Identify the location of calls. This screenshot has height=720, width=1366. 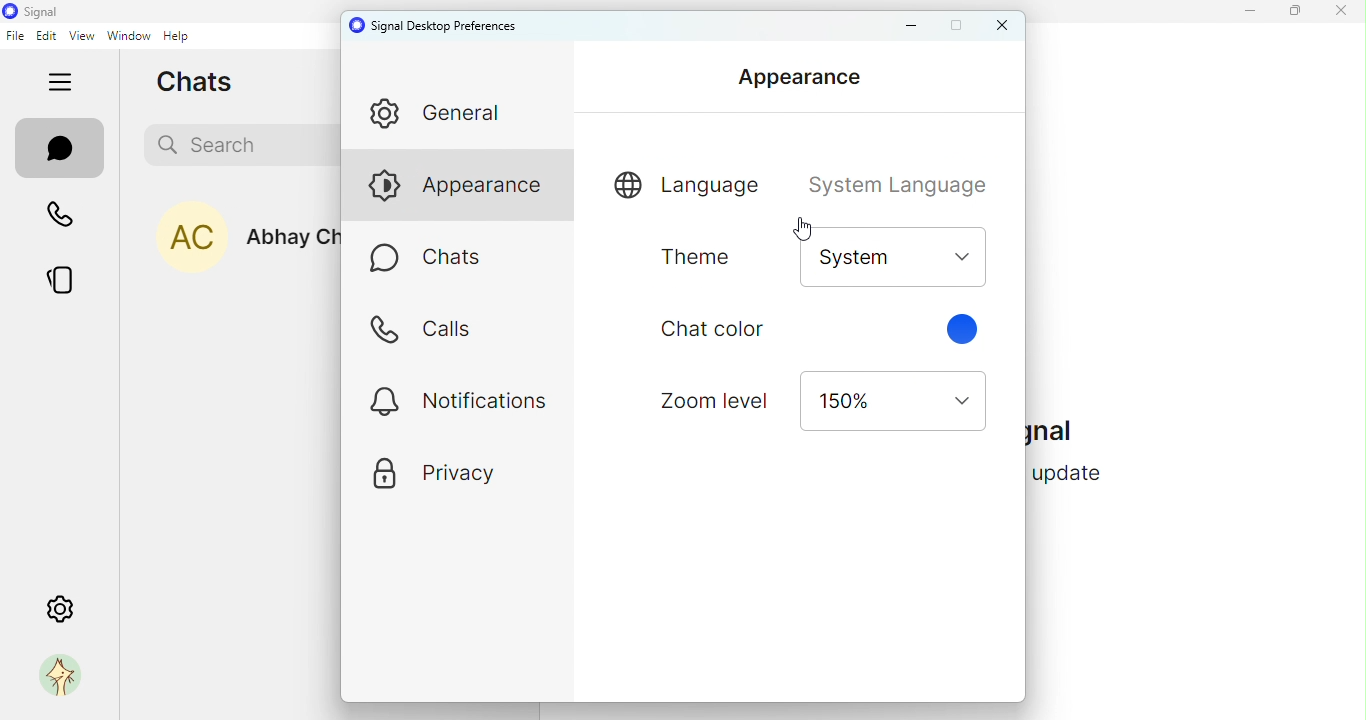
(430, 328).